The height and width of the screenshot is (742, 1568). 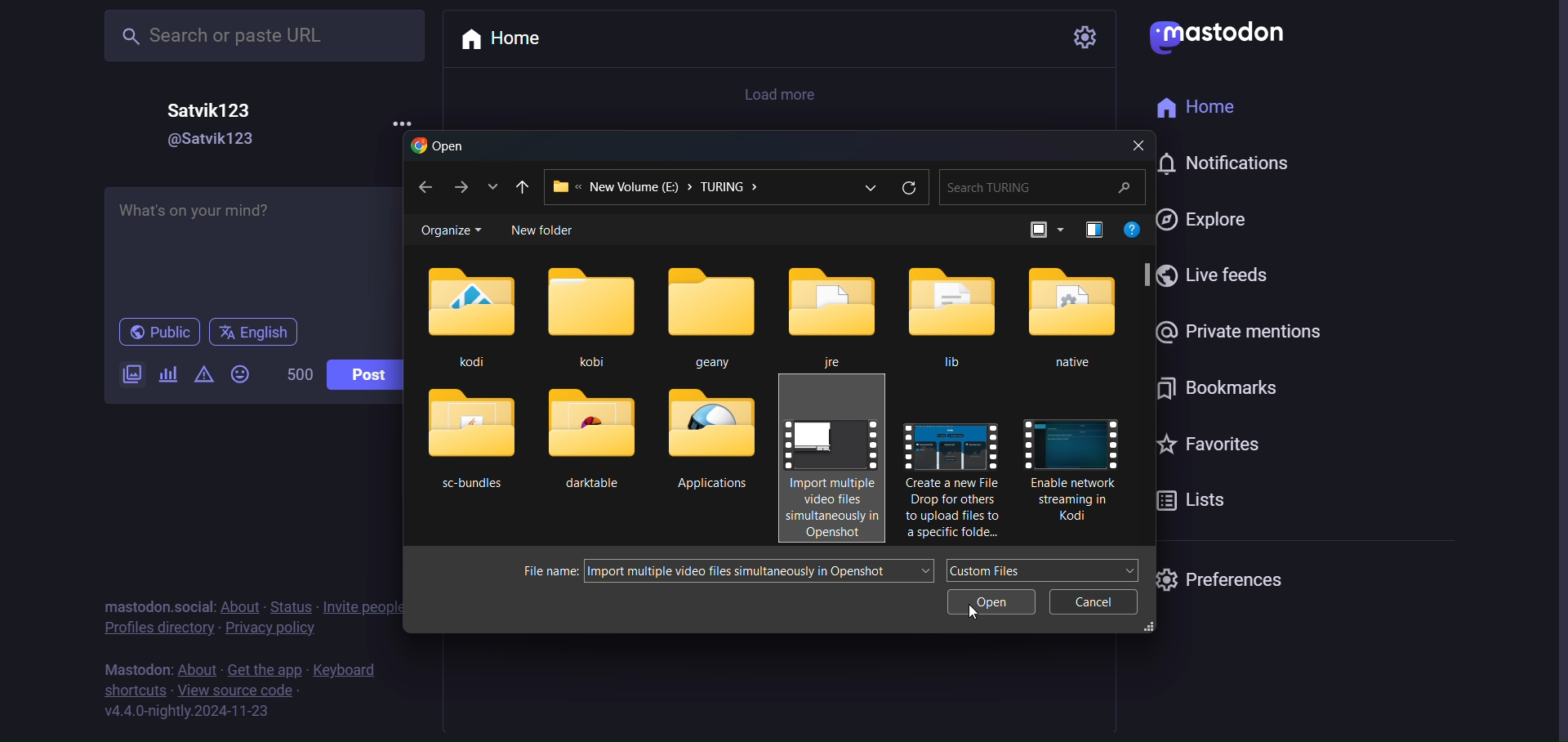 What do you see at coordinates (289, 370) in the screenshot?
I see `500` at bounding box center [289, 370].